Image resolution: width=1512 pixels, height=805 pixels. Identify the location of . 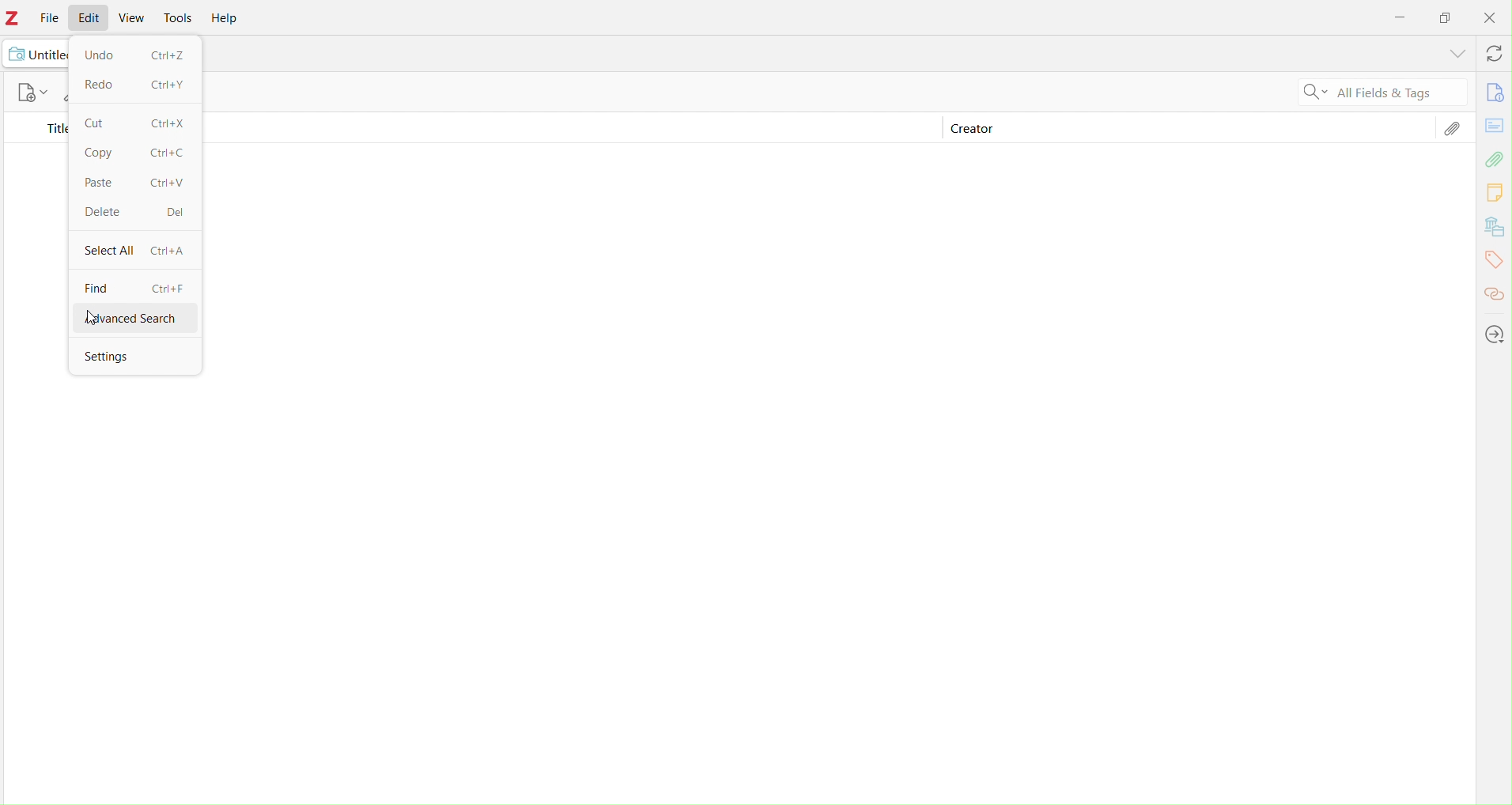
(15, 21).